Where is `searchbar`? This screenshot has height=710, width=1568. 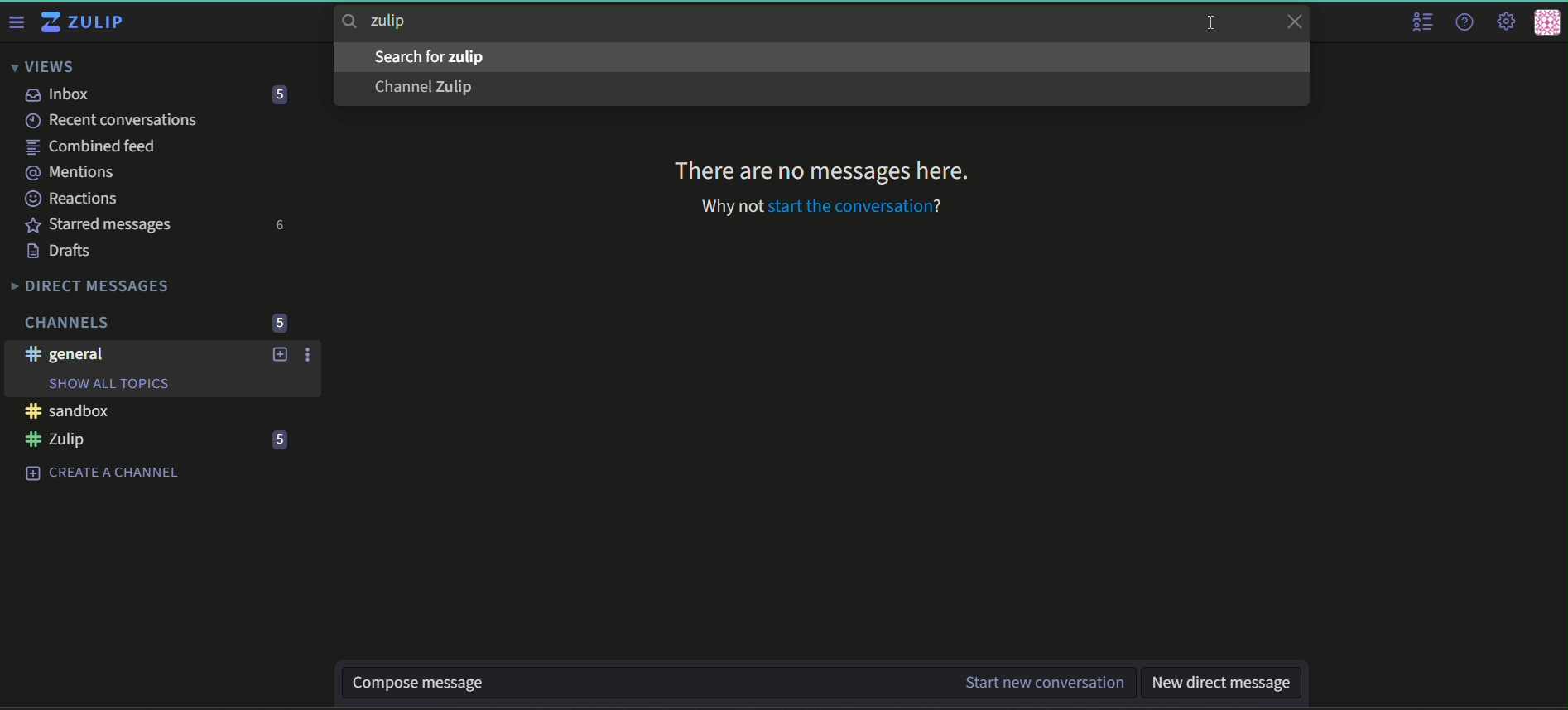 searchbar is located at coordinates (386, 22).